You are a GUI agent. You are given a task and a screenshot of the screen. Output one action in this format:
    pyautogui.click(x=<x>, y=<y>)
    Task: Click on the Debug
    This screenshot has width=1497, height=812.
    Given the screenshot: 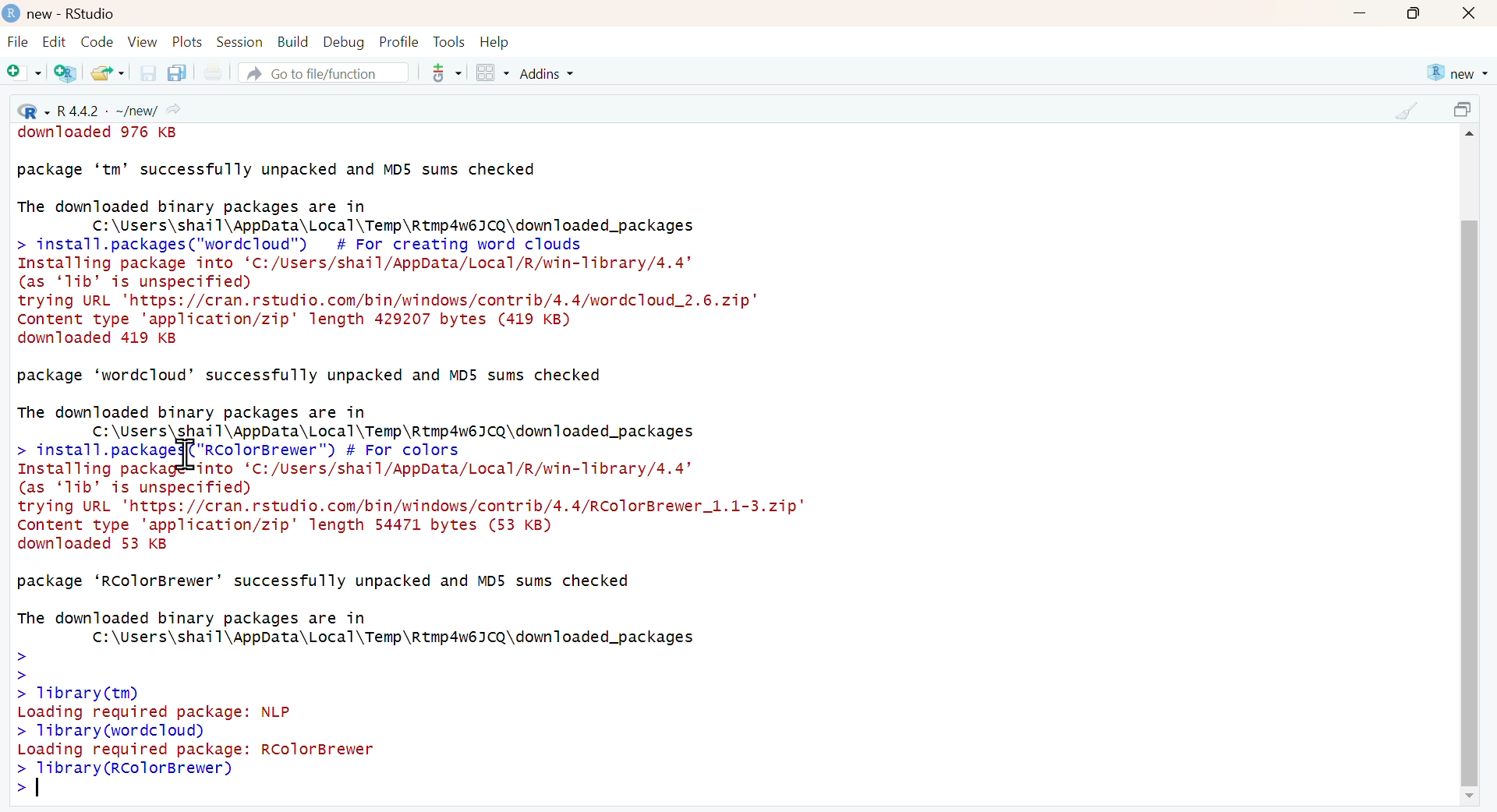 What is the action you would take?
    pyautogui.click(x=345, y=44)
    